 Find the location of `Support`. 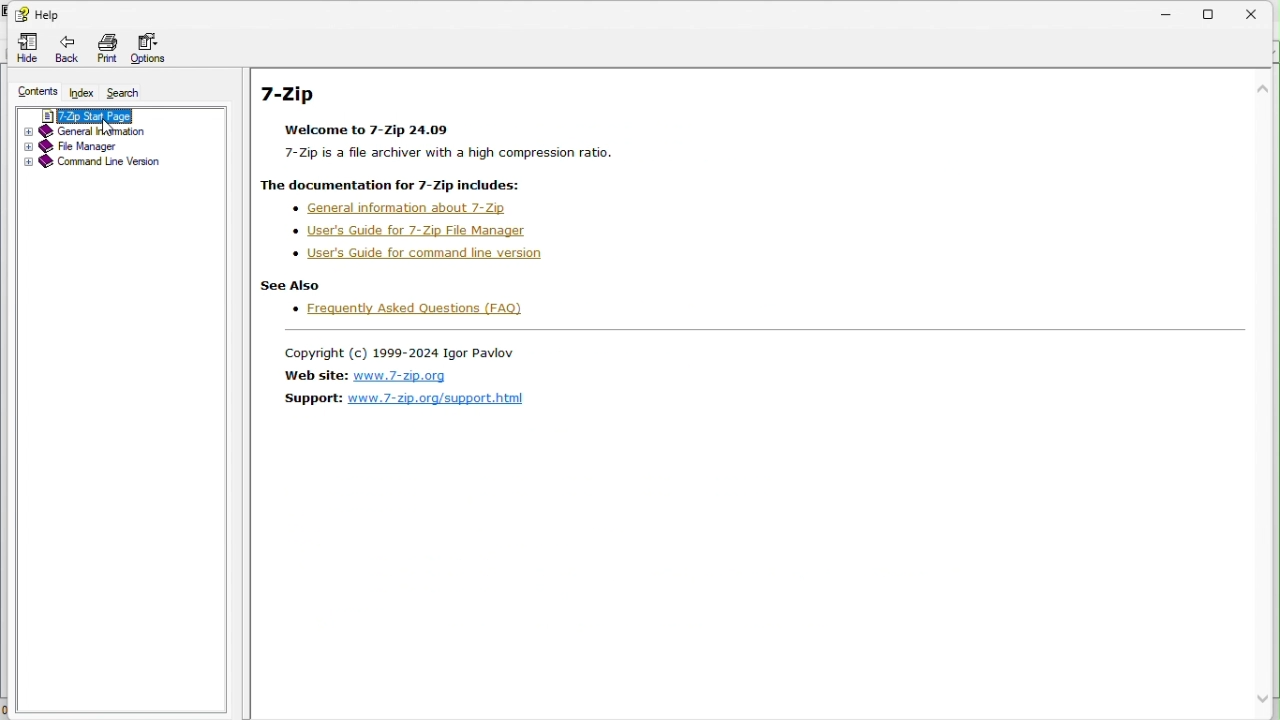

Support is located at coordinates (308, 399).